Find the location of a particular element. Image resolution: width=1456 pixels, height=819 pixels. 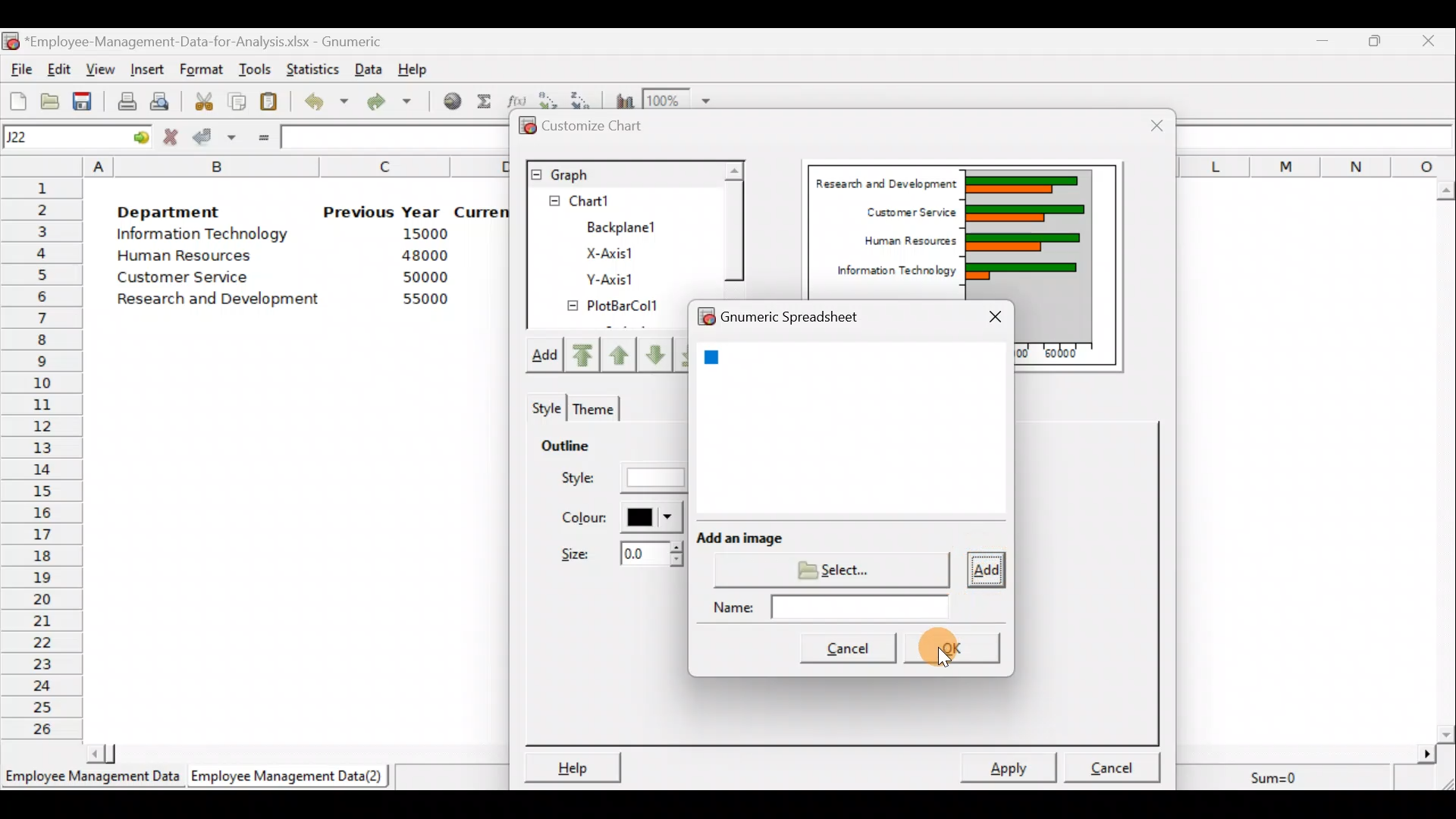

Cancel change is located at coordinates (172, 137).